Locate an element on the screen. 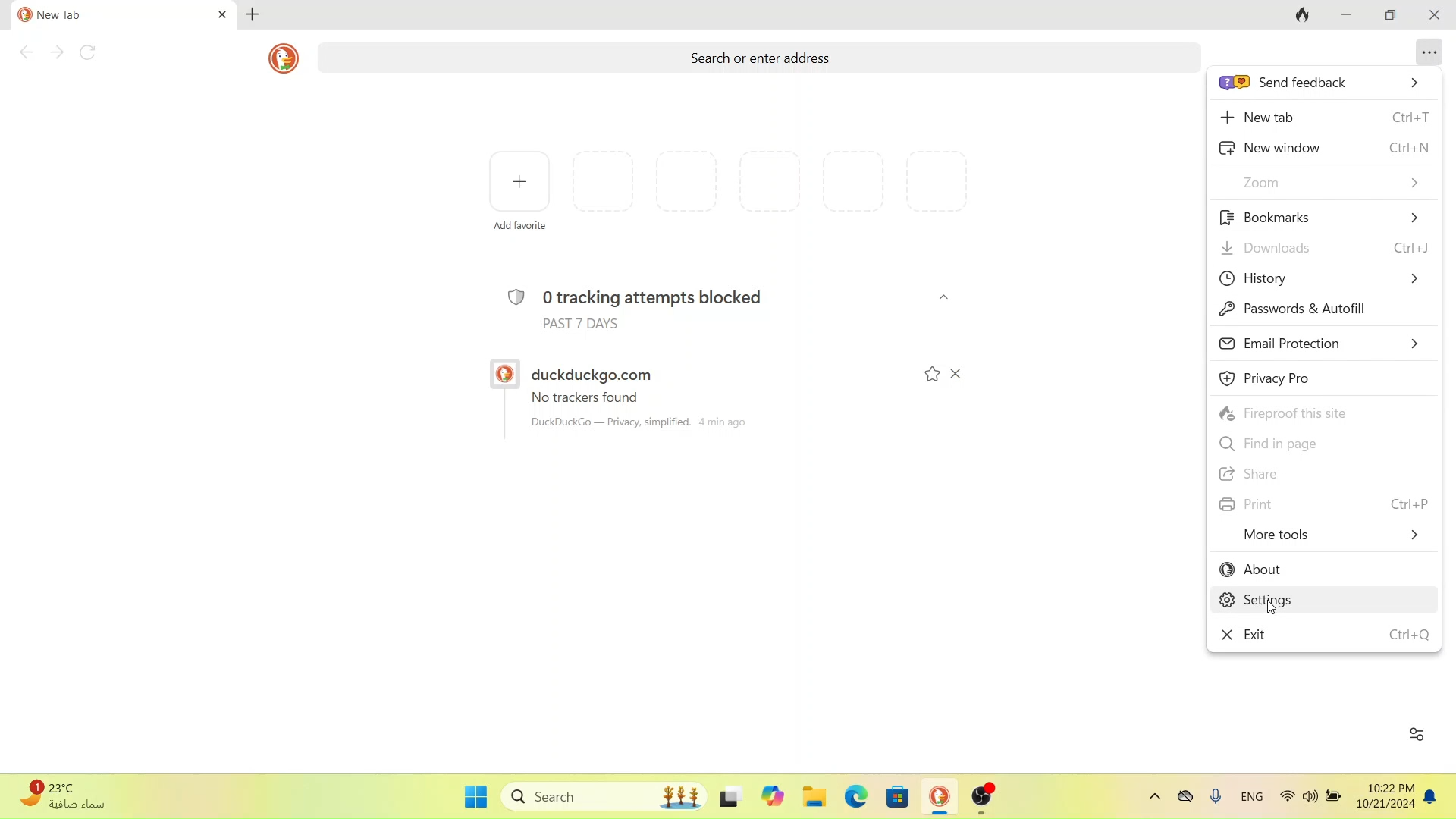  obsstudio is located at coordinates (984, 799).